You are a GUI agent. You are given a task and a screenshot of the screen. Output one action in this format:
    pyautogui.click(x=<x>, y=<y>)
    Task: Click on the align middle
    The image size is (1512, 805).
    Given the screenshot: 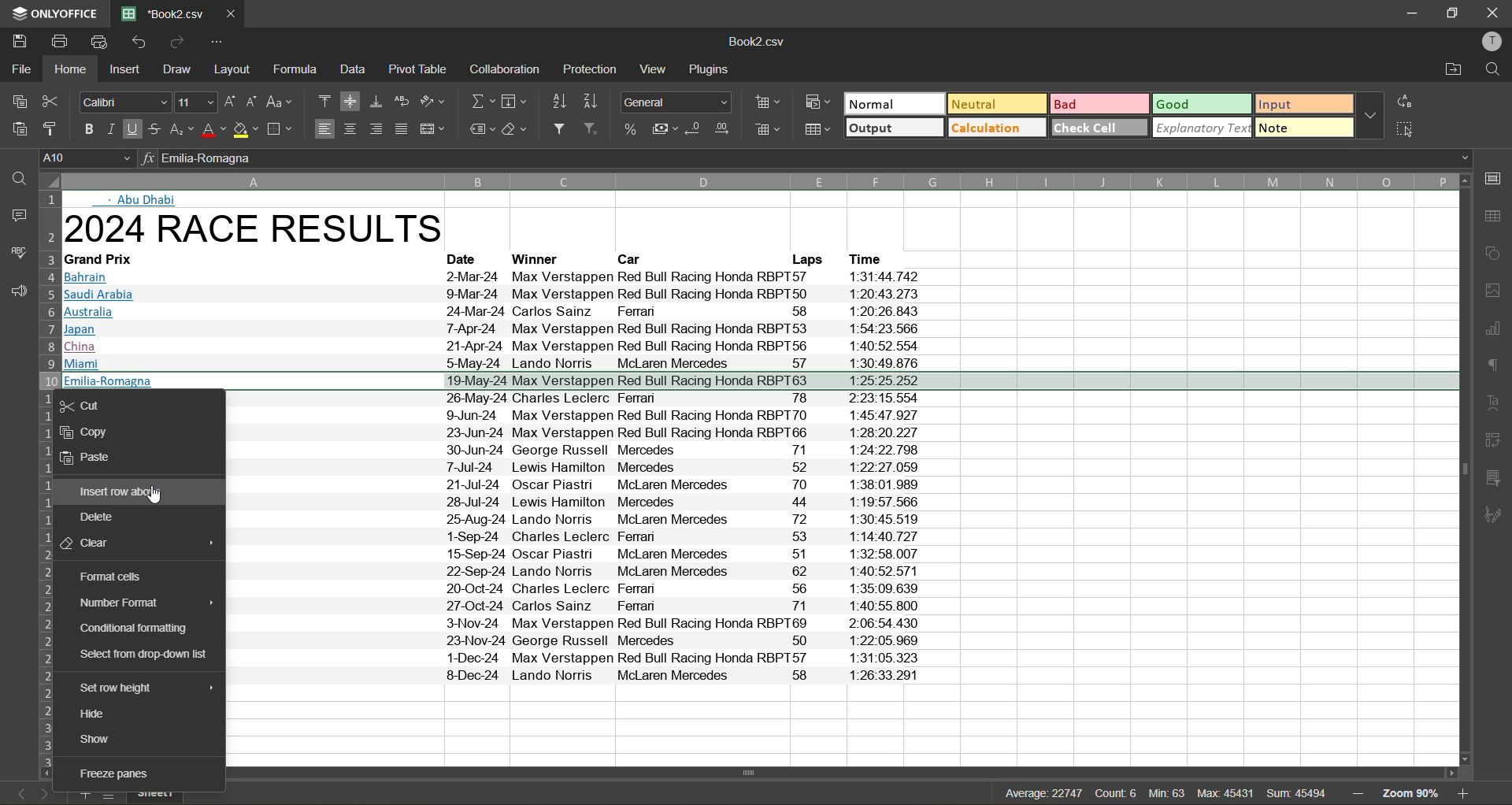 What is the action you would take?
    pyautogui.click(x=350, y=102)
    